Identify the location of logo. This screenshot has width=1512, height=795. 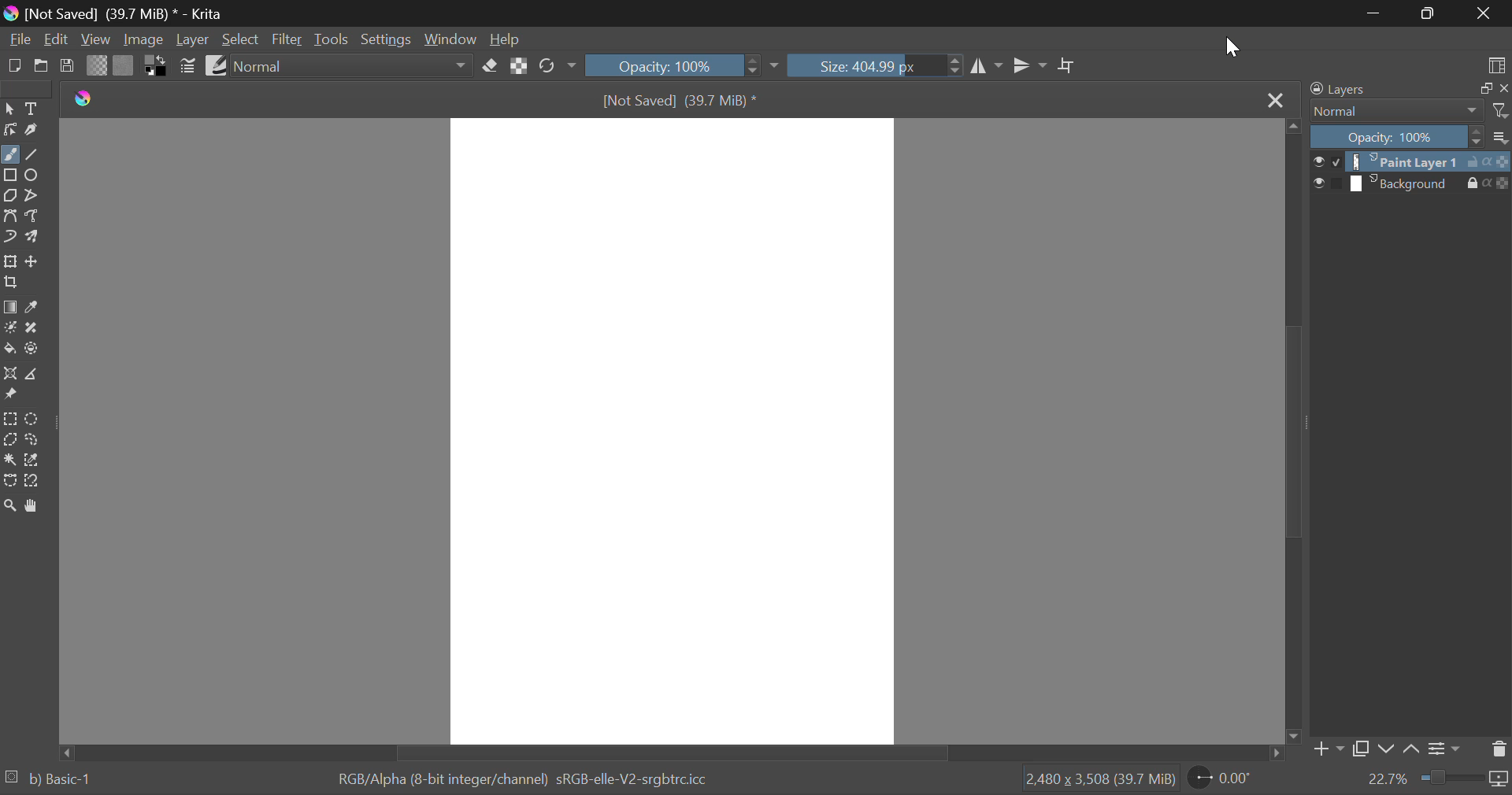
(83, 98).